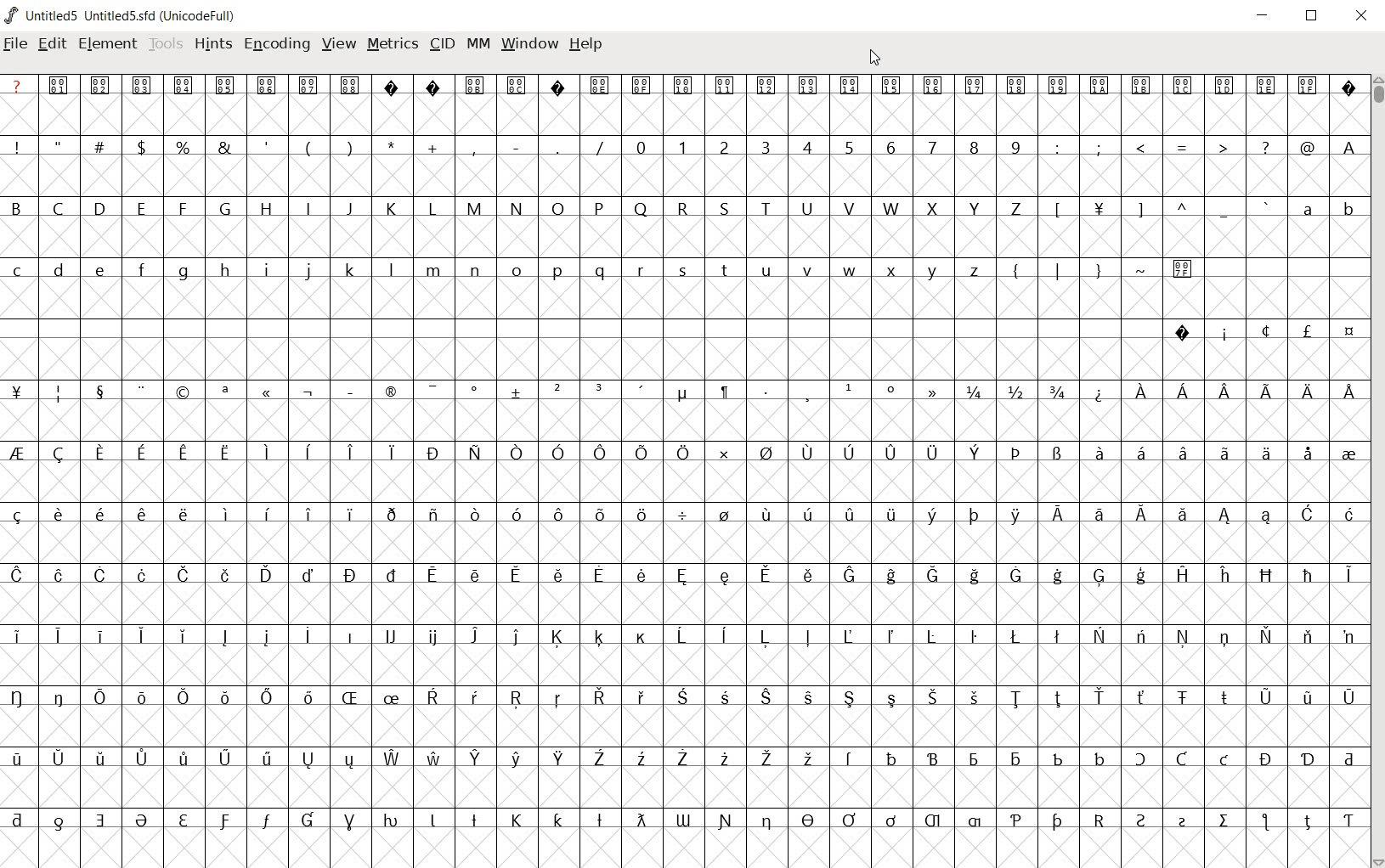  What do you see at coordinates (308, 759) in the screenshot?
I see `Symbol` at bounding box center [308, 759].